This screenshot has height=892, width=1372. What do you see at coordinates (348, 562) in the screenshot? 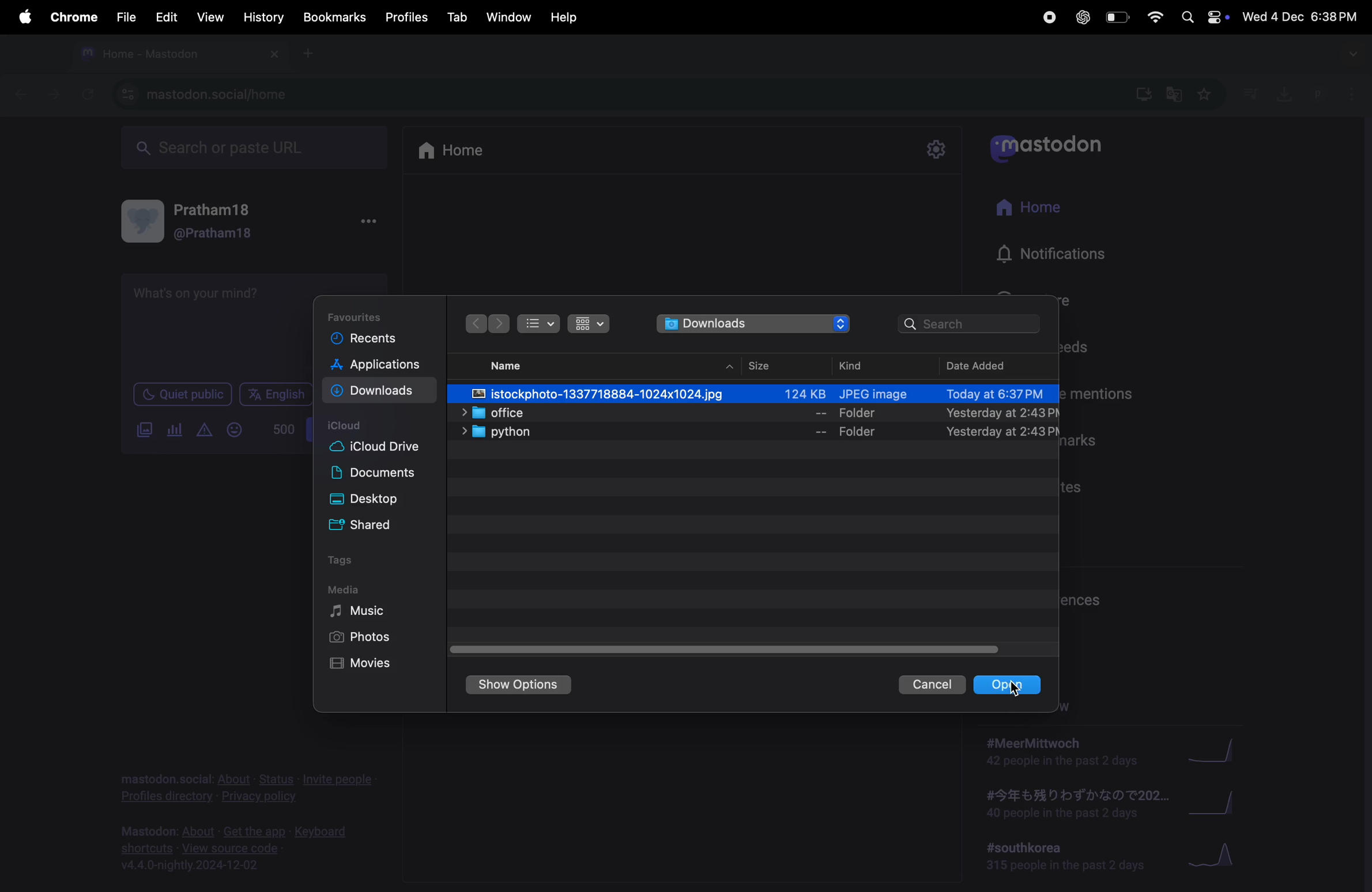
I see `tags` at bounding box center [348, 562].